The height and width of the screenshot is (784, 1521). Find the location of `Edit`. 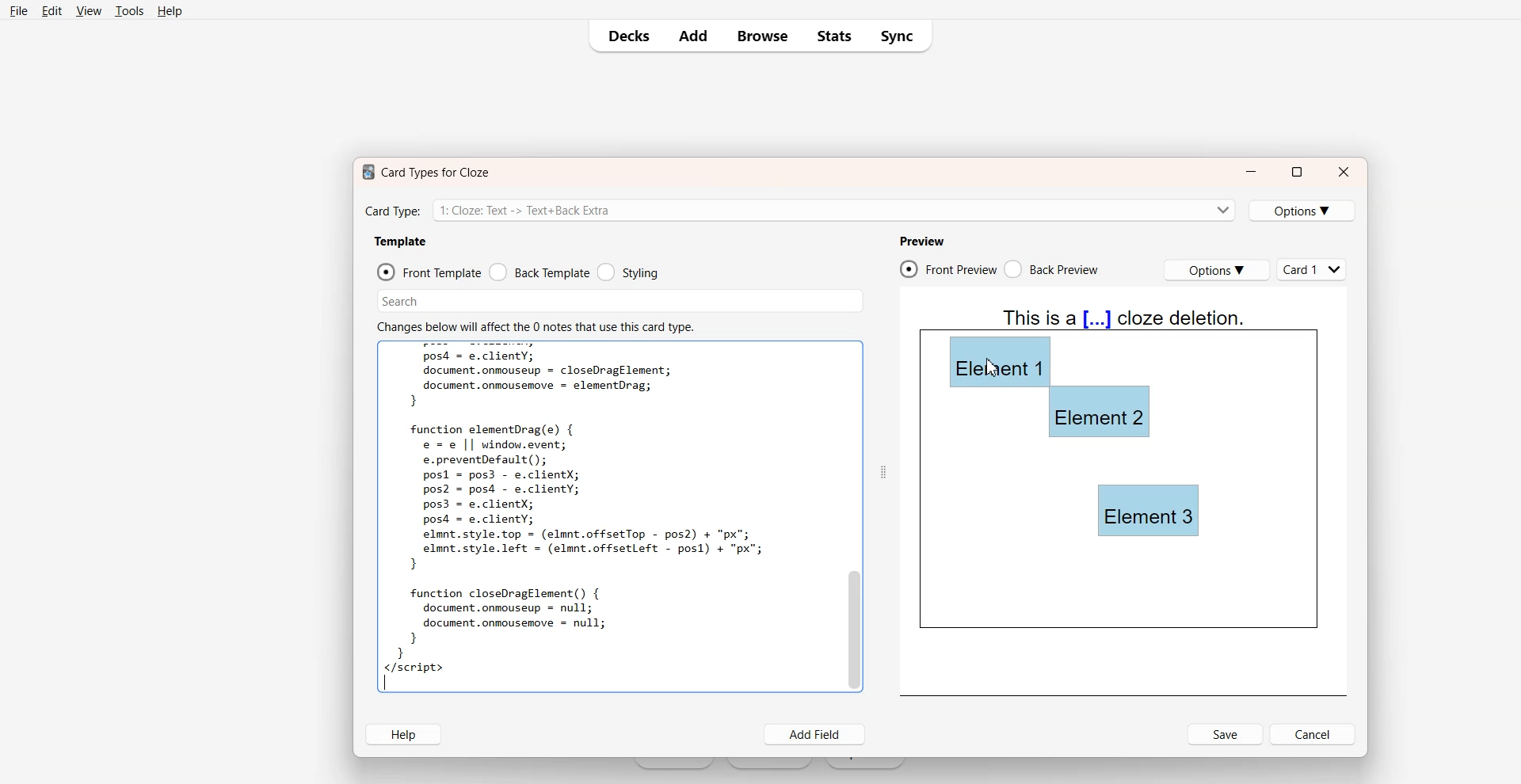

Edit is located at coordinates (51, 10).